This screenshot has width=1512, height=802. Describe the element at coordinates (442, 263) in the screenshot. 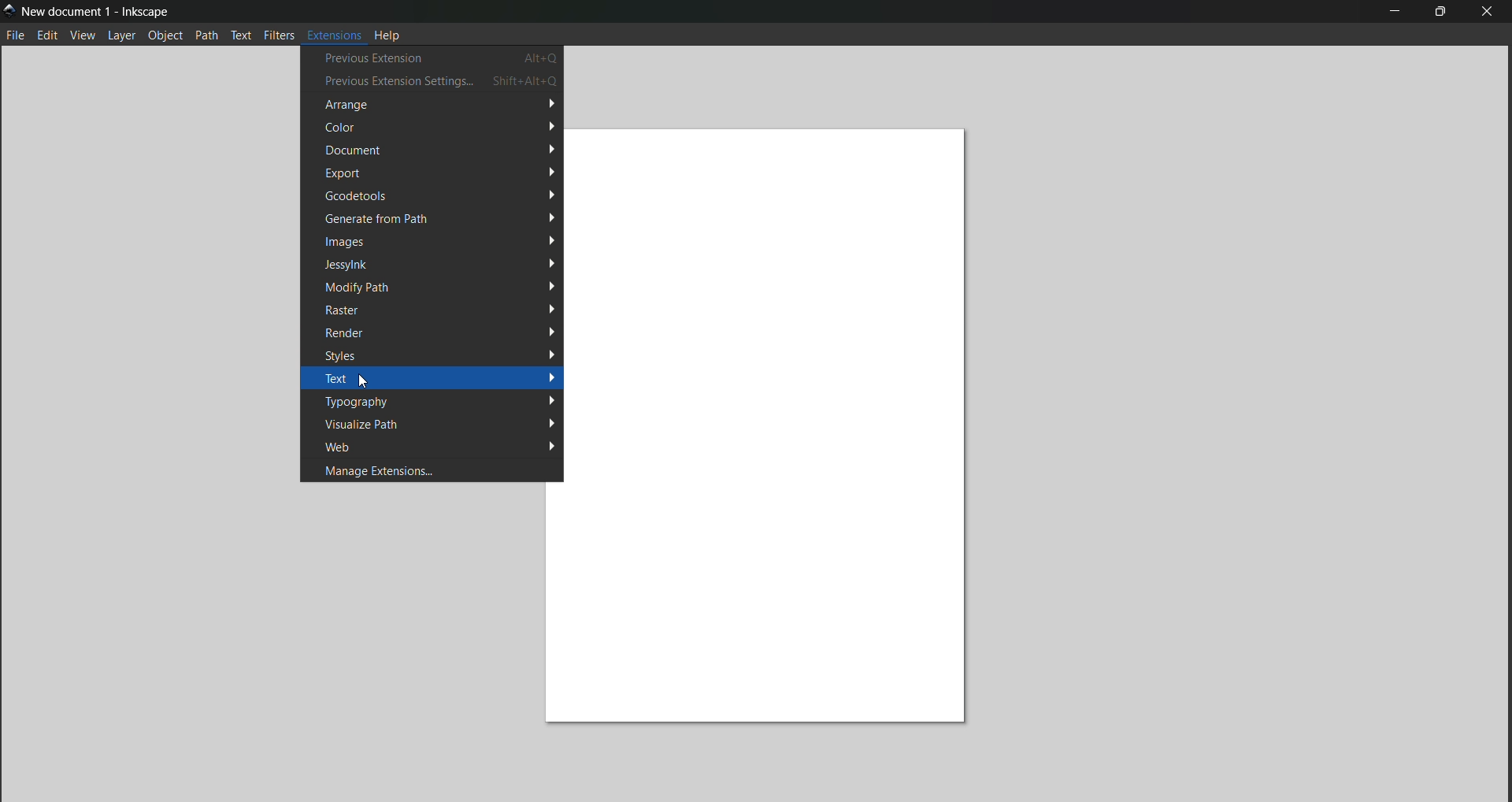

I see `jessylink` at that location.